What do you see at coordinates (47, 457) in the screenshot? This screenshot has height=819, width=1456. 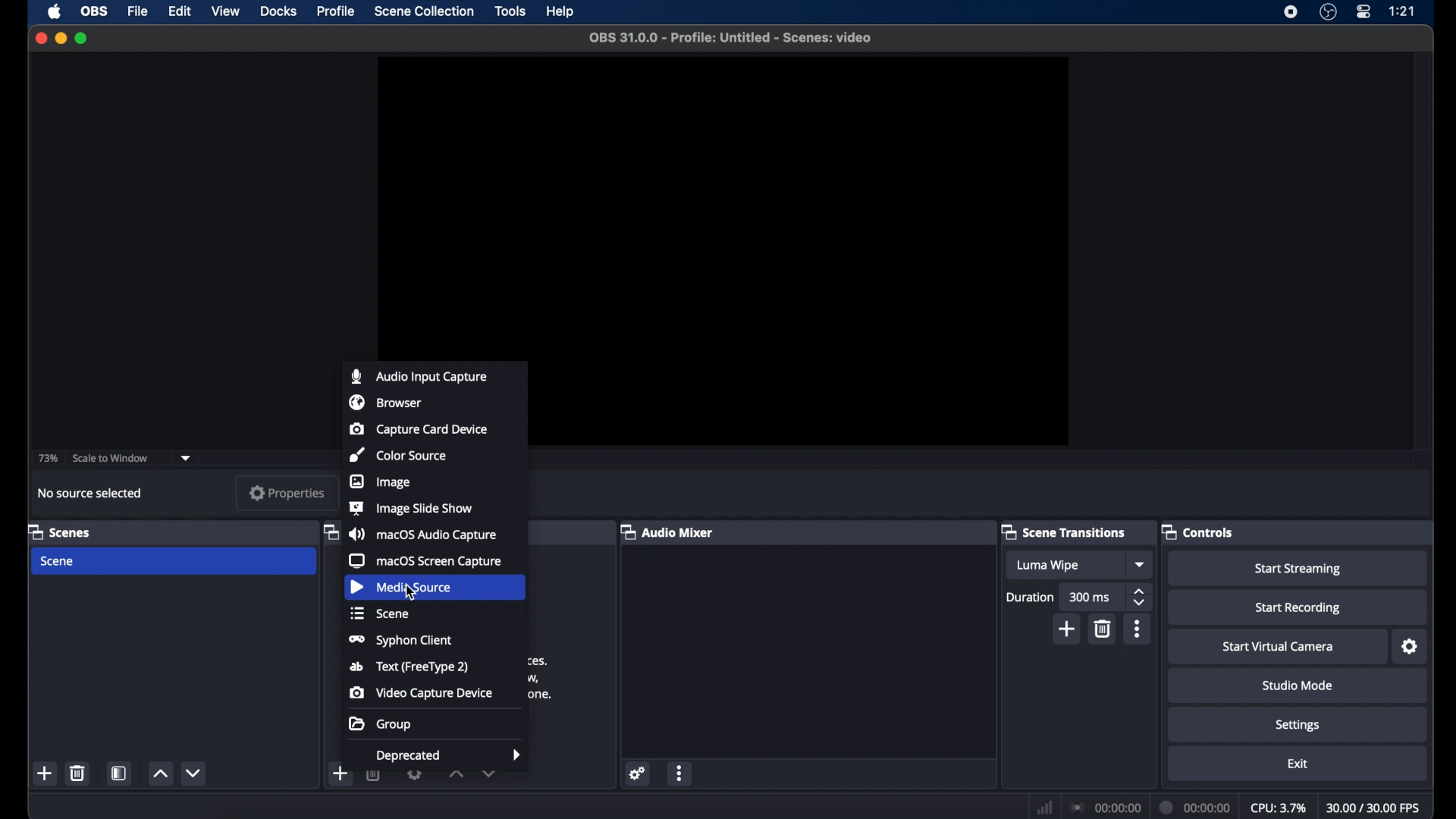 I see `73%` at bounding box center [47, 457].